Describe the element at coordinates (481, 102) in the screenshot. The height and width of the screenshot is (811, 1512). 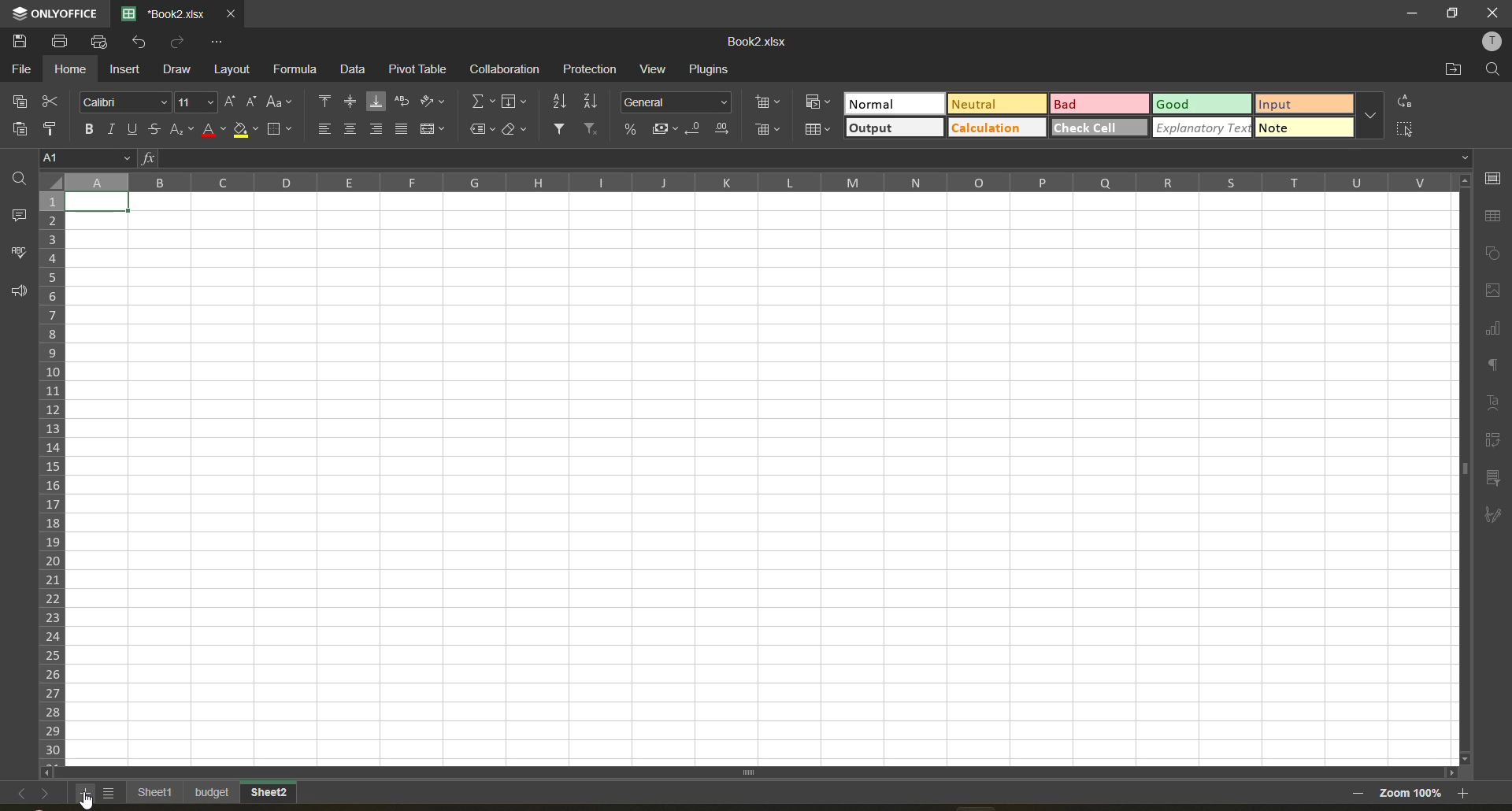
I see `summation` at that location.